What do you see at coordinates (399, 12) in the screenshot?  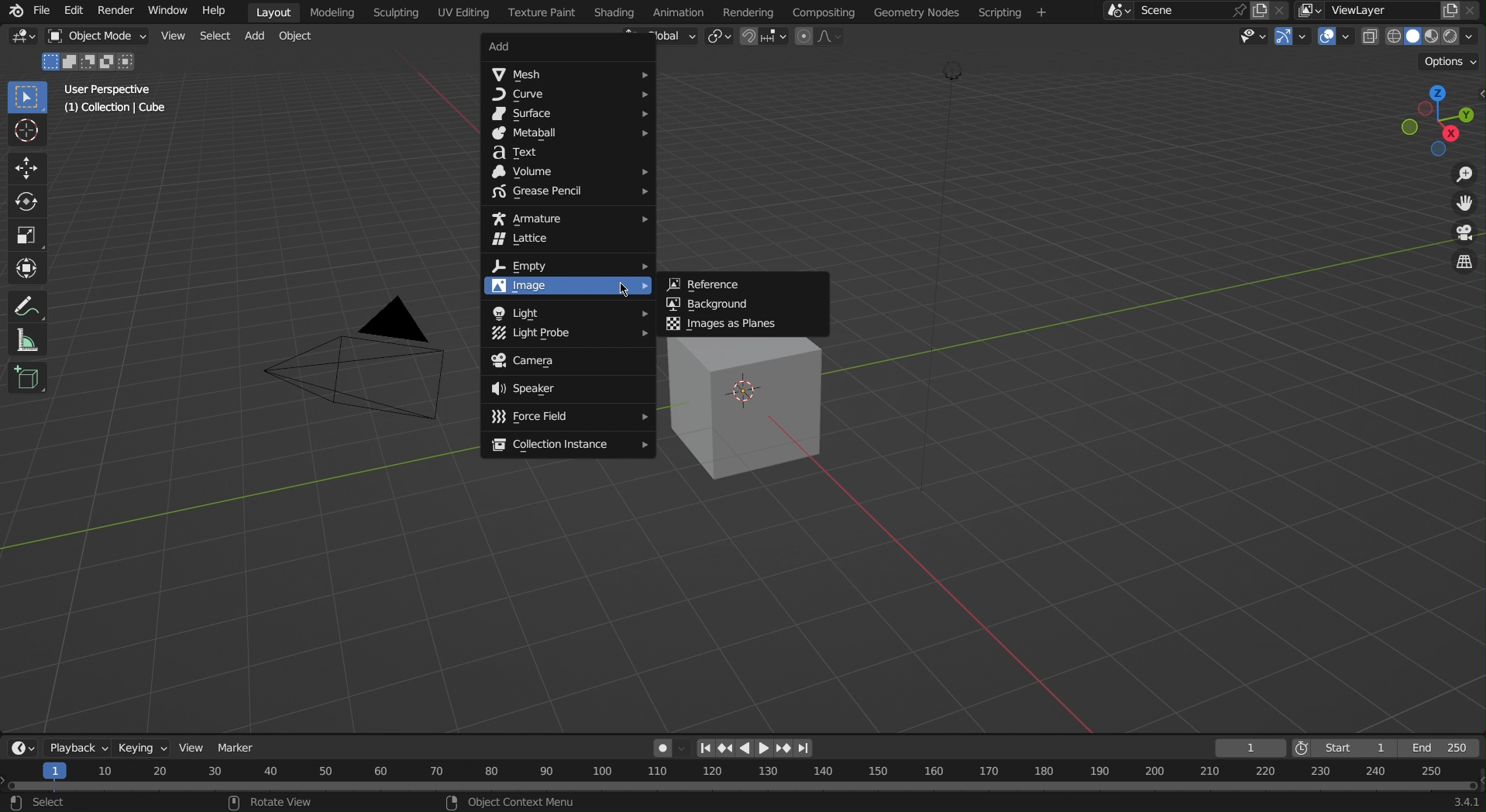 I see `Scripting` at bounding box center [399, 12].